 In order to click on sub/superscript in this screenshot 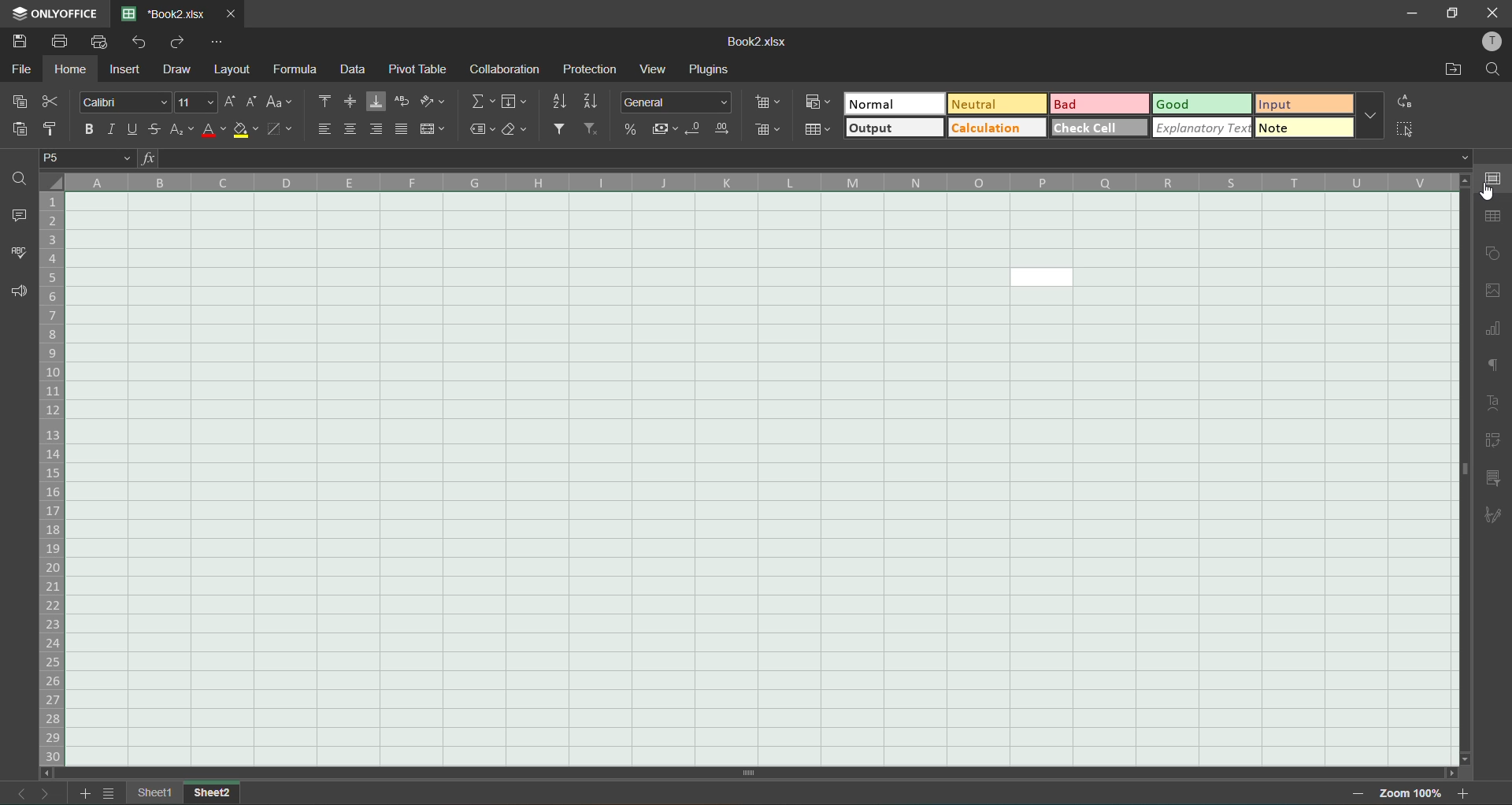, I will do `click(183, 132)`.